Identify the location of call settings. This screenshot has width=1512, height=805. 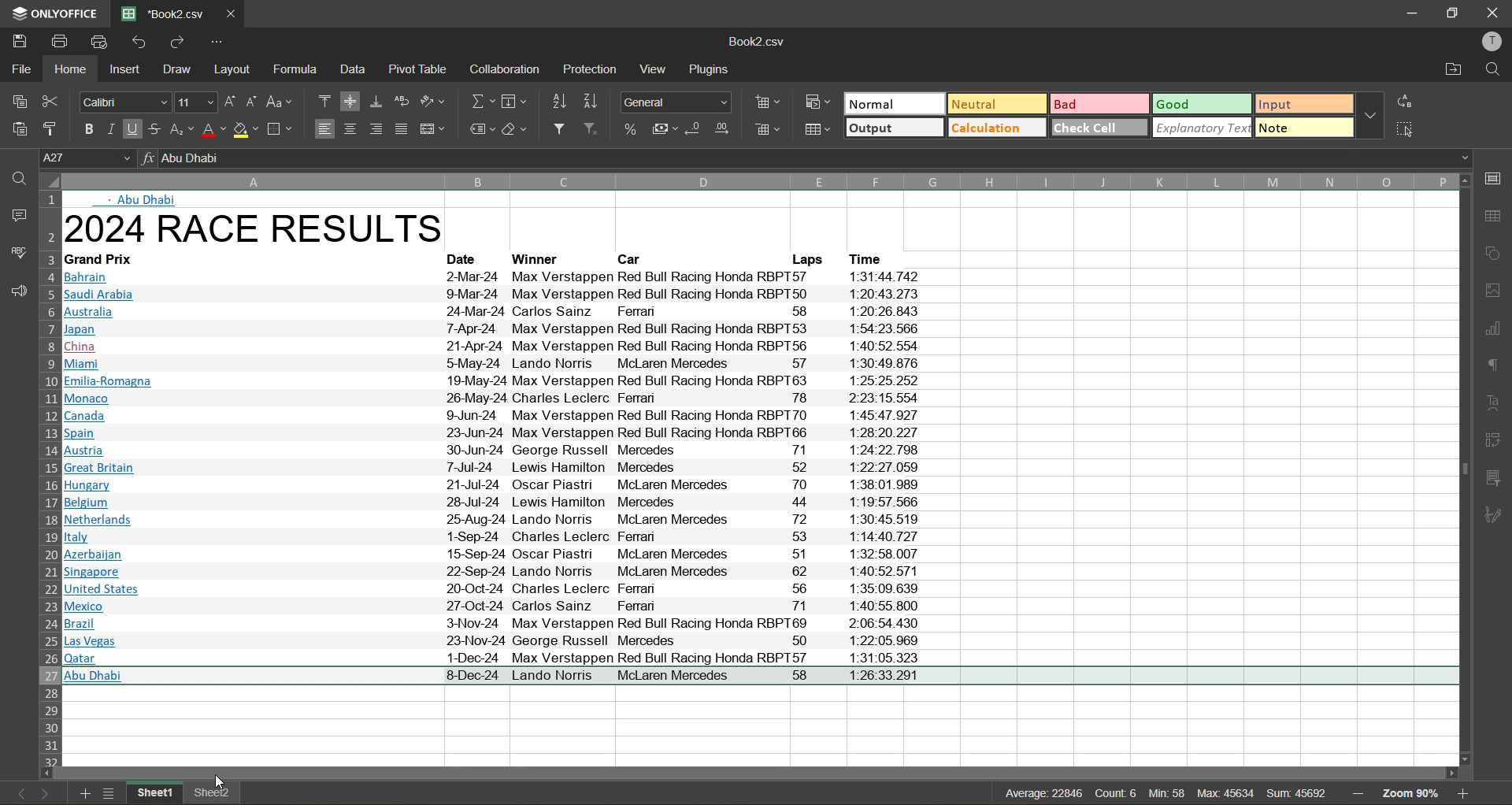
(1494, 178).